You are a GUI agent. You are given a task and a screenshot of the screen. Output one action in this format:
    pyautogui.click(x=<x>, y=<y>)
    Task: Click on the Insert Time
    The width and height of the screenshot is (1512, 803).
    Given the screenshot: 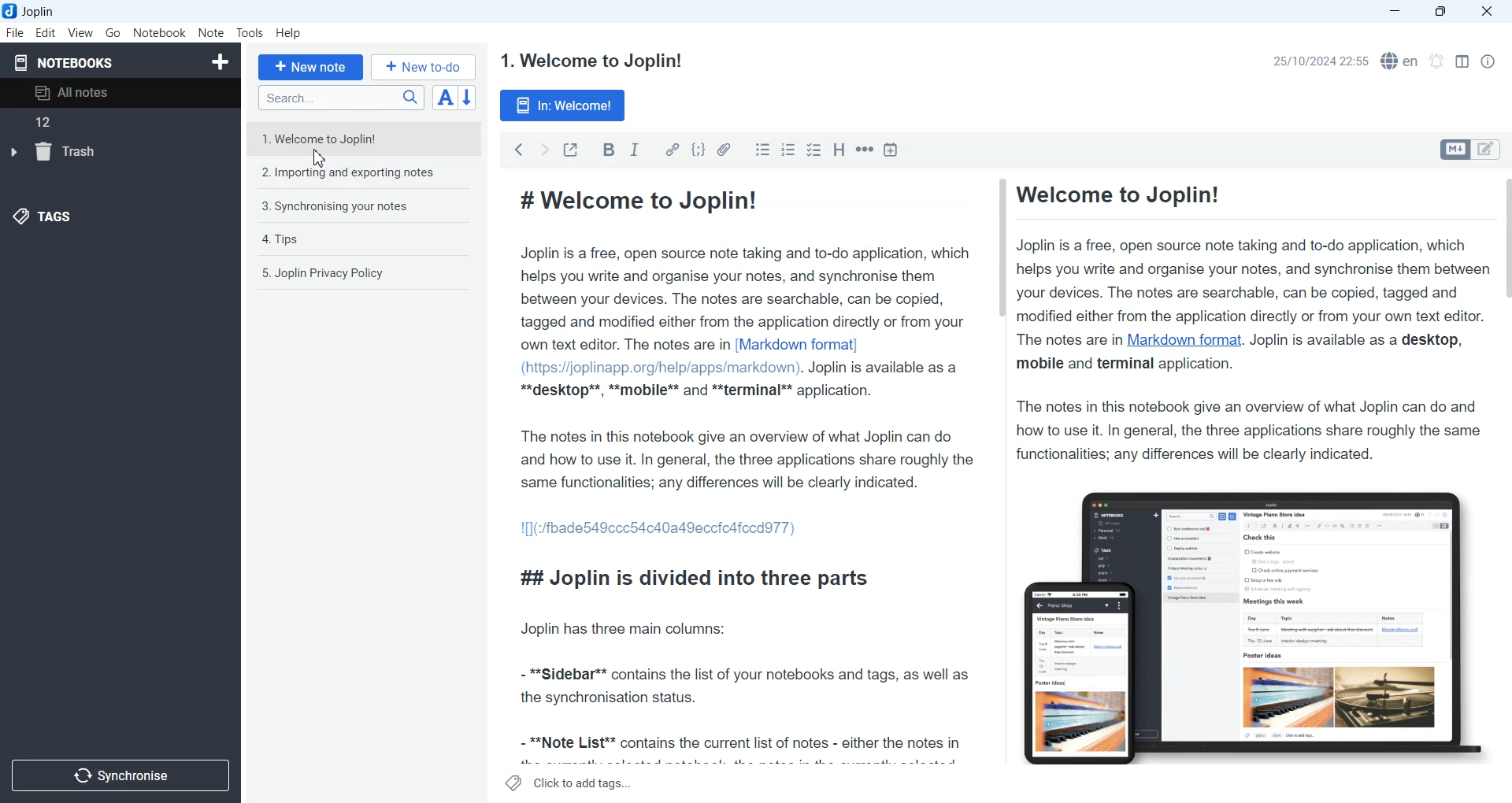 What is the action you would take?
    pyautogui.click(x=891, y=150)
    